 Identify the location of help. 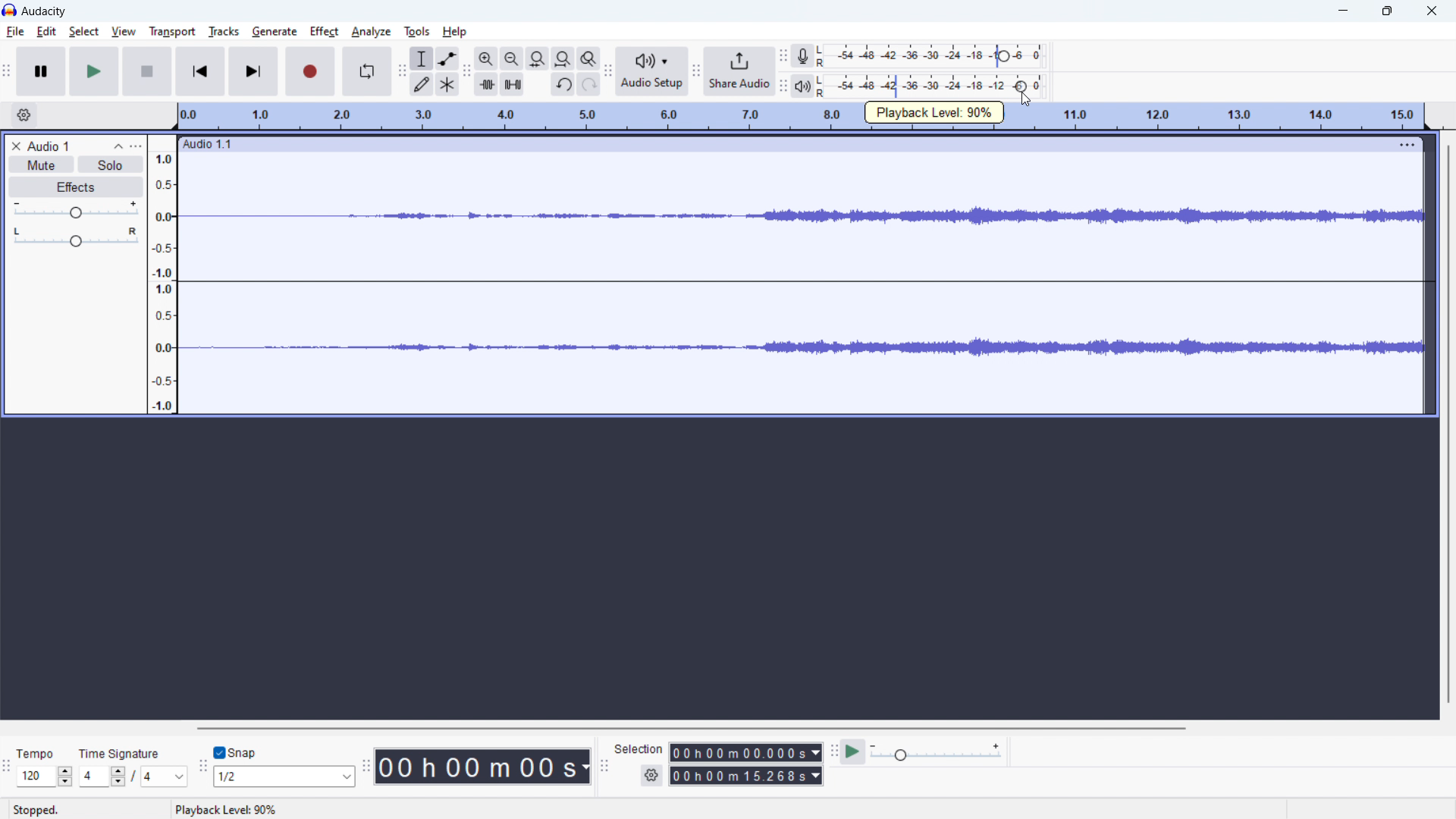
(454, 32).